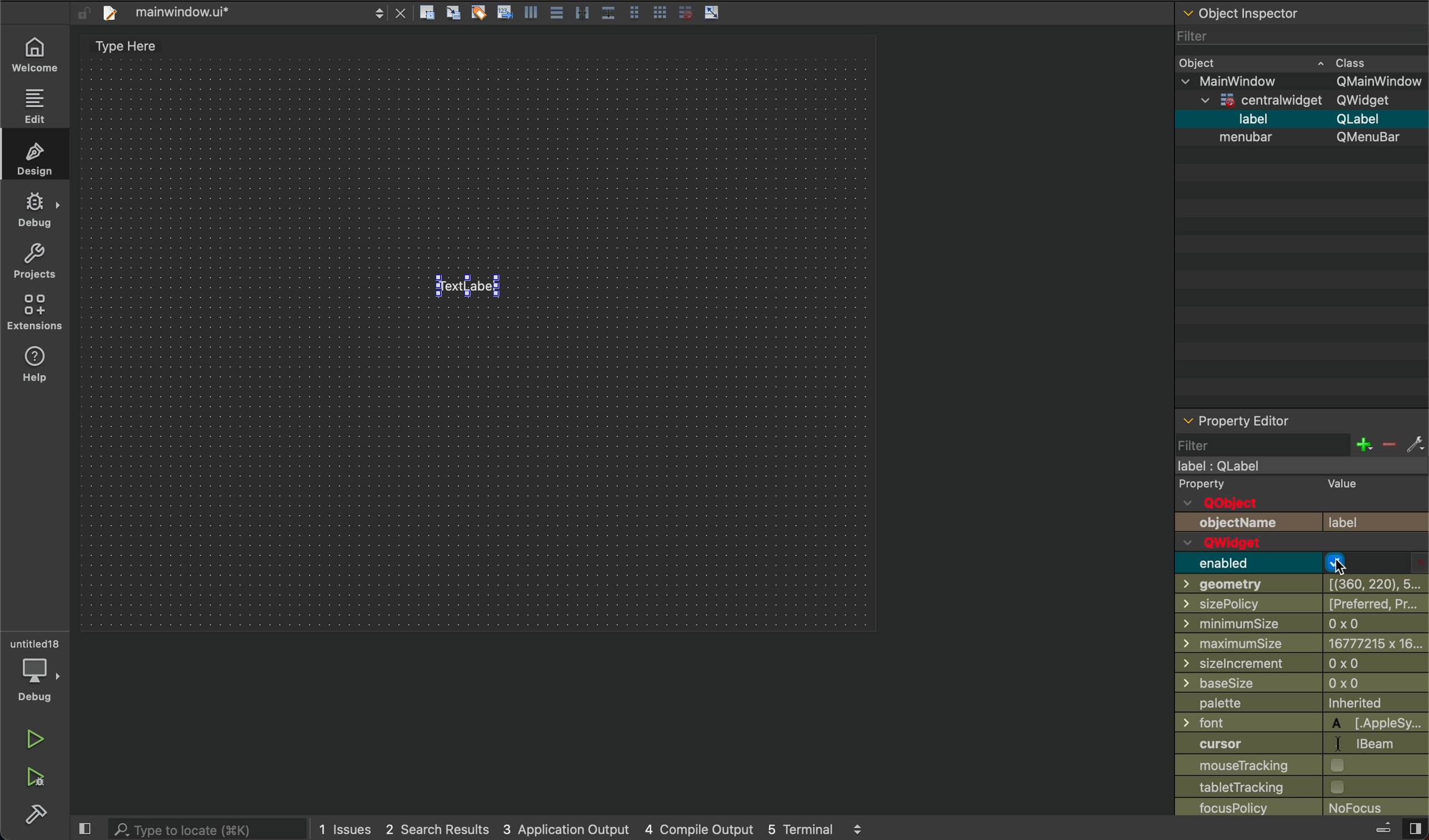 This screenshot has height=840, width=1429. What do you see at coordinates (465, 286) in the screenshot?
I see `text label` at bounding box center [465, 286].